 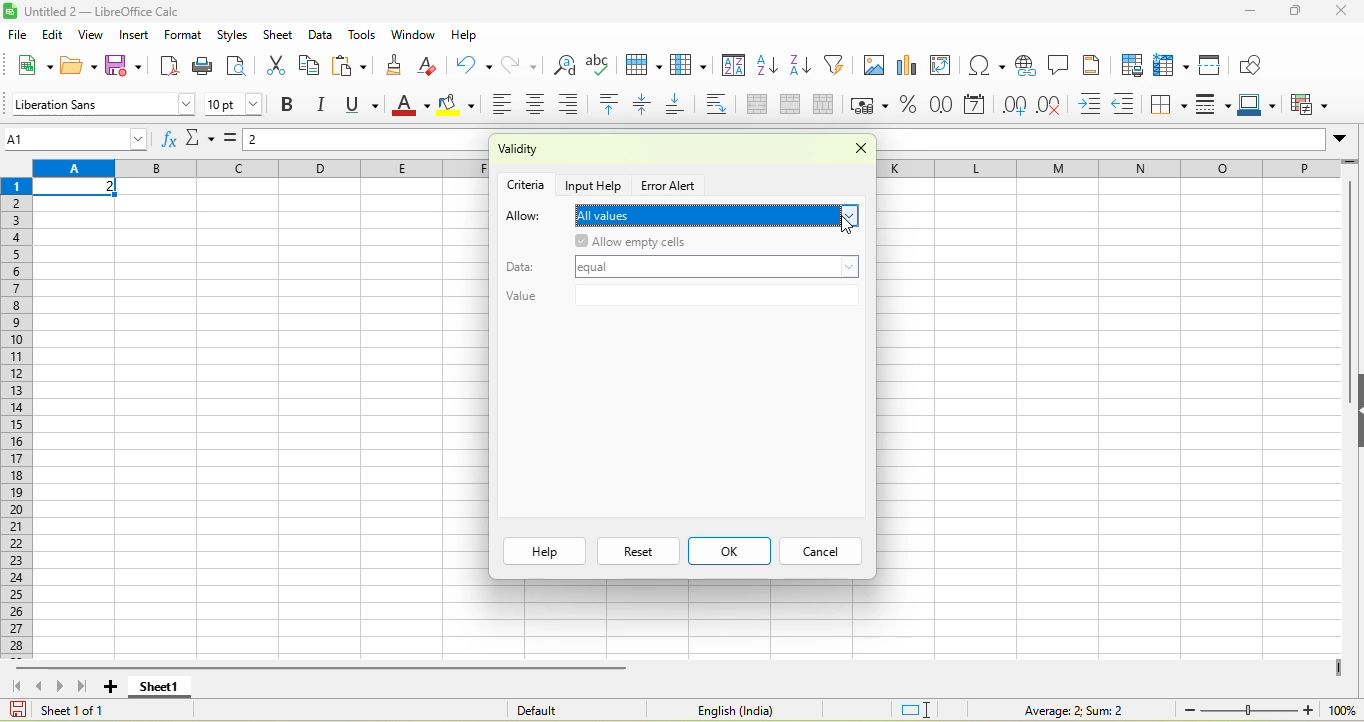 I want to click on split window, so click(x=1215, y=64).